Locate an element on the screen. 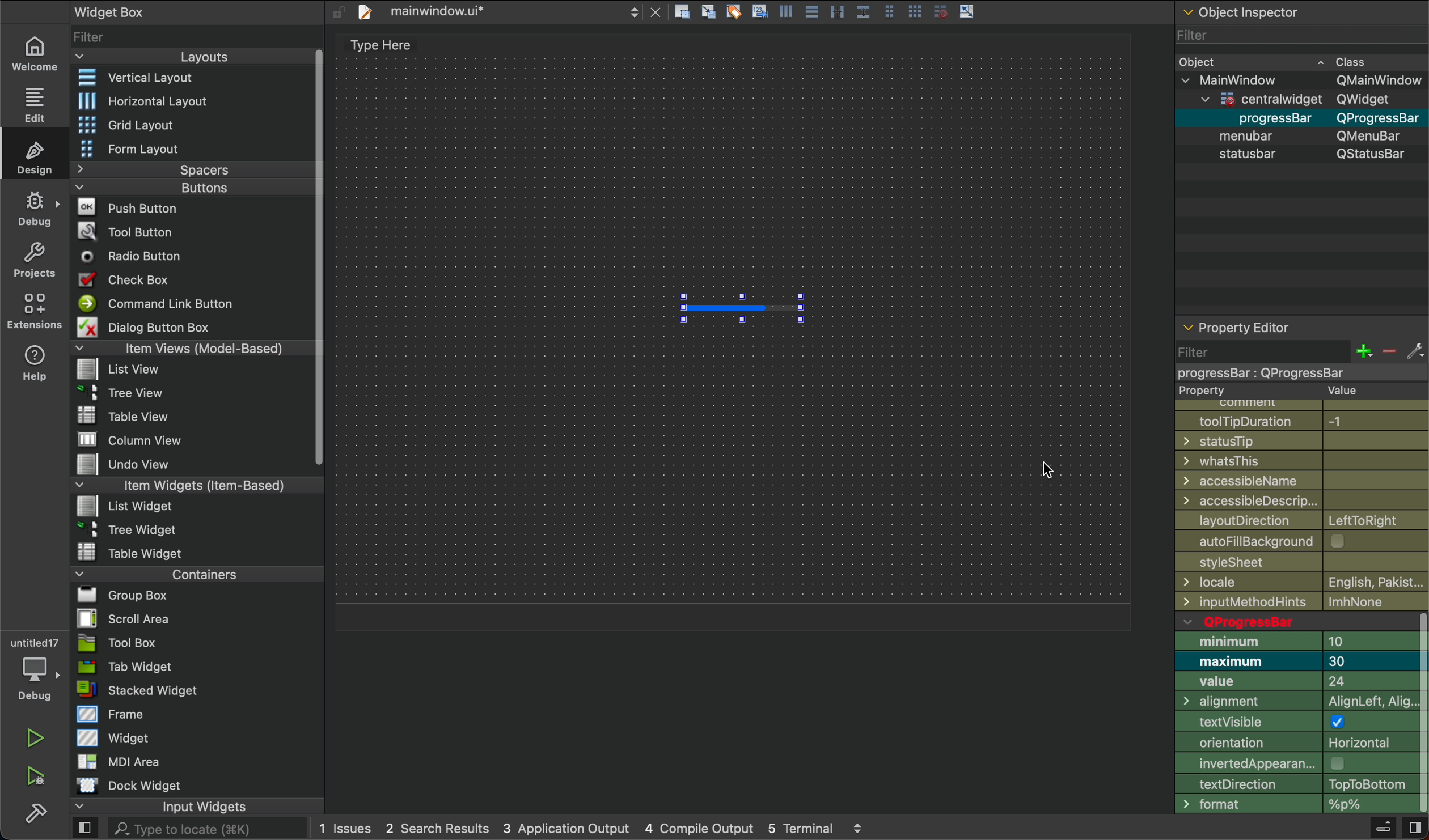  object inspector is located at coordinates (1300, 12).